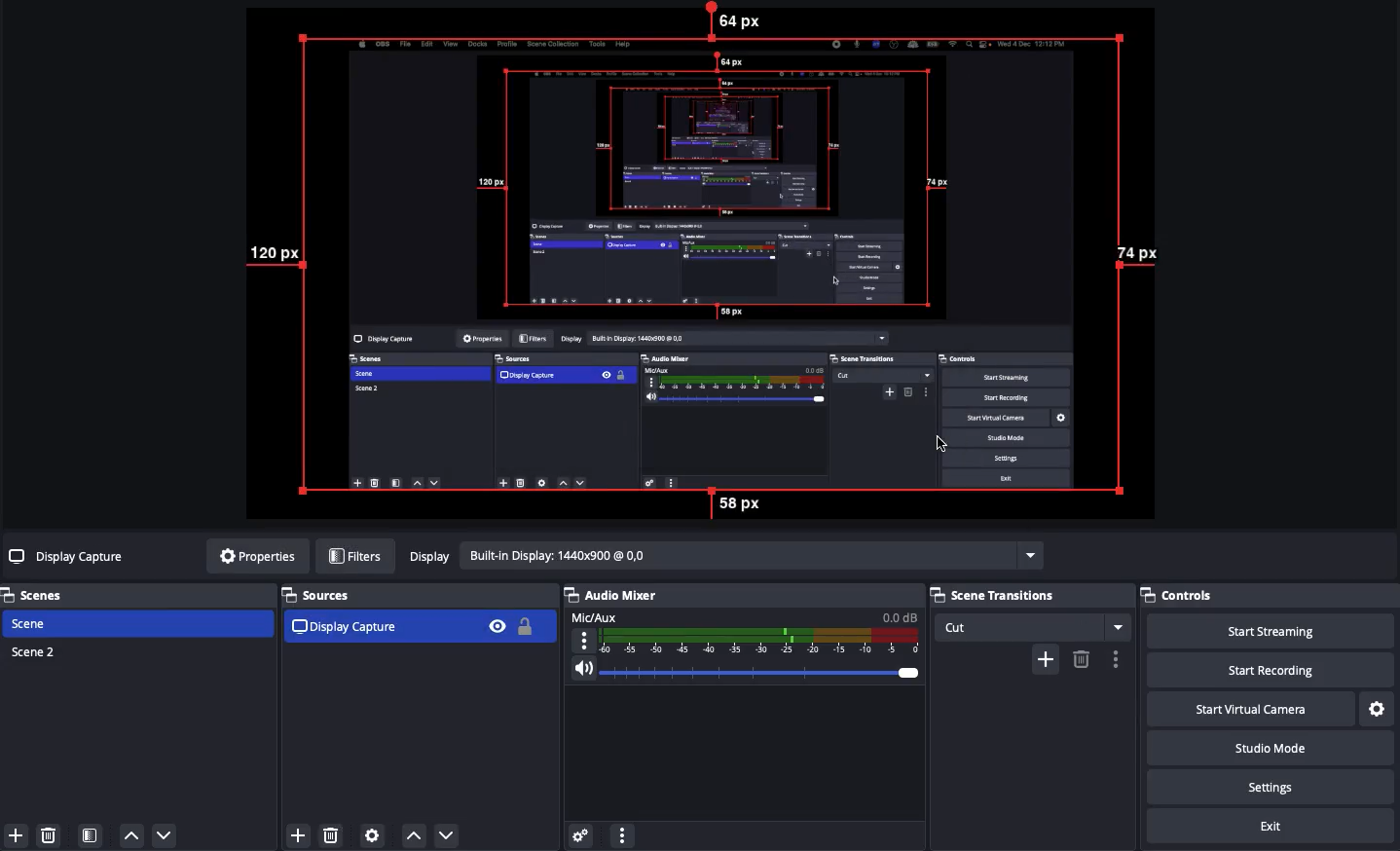  What do you see at coordinates (1286, 631) in the screenshot?
I see `Start streaming` at bounding box center [1286, 631].